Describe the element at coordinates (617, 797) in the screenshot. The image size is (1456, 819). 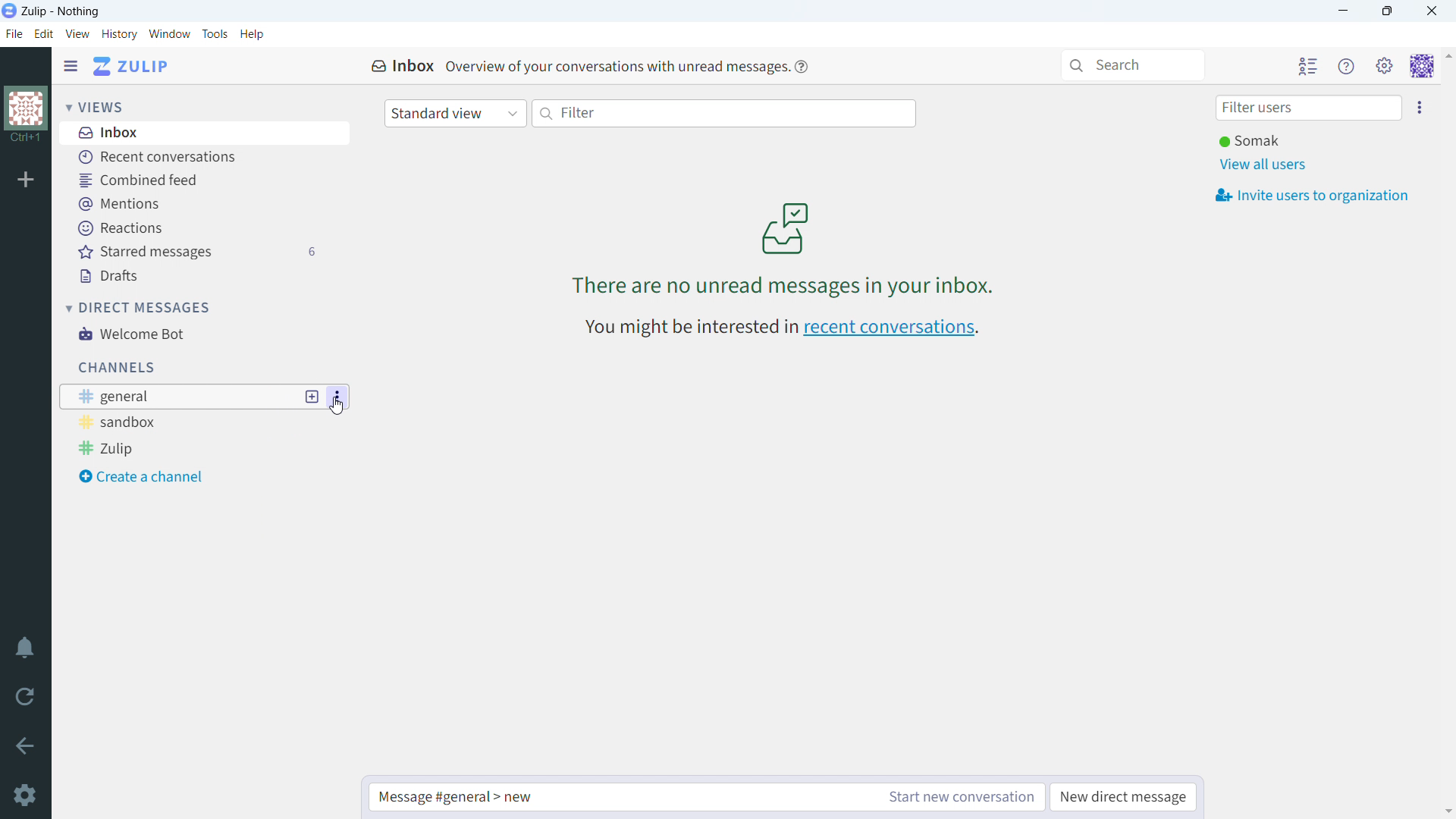
I see `type message` at that location.